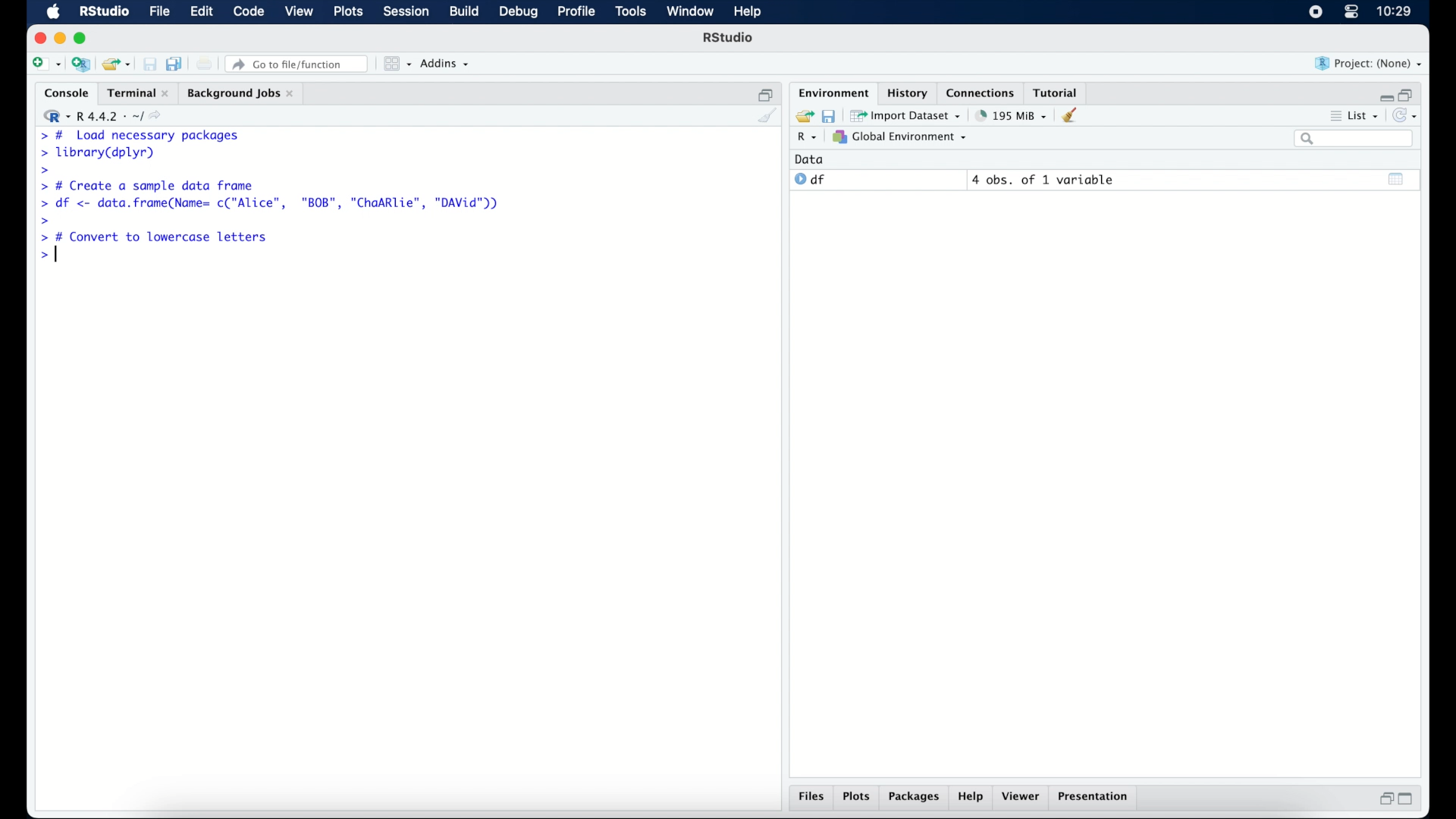 Image resolution: width=1456 pixels, height=819 pixels. What do you see at coordinates (1095, 798) in the screenshot?
I see `presentation` at bounding box center [1095, 798].